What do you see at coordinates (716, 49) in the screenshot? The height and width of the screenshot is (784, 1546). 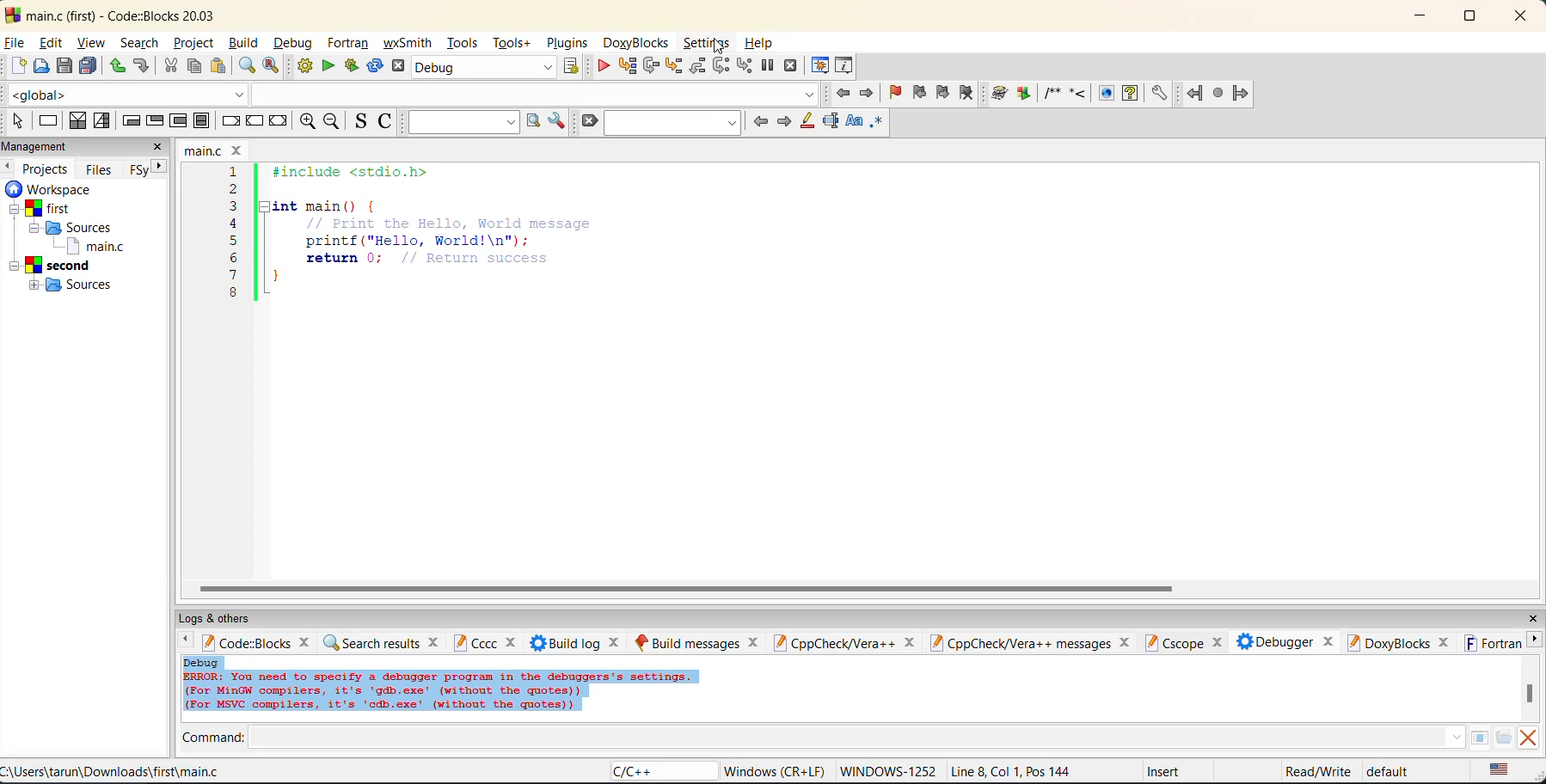 I see `Cursor` at bounding box center [716, 49].